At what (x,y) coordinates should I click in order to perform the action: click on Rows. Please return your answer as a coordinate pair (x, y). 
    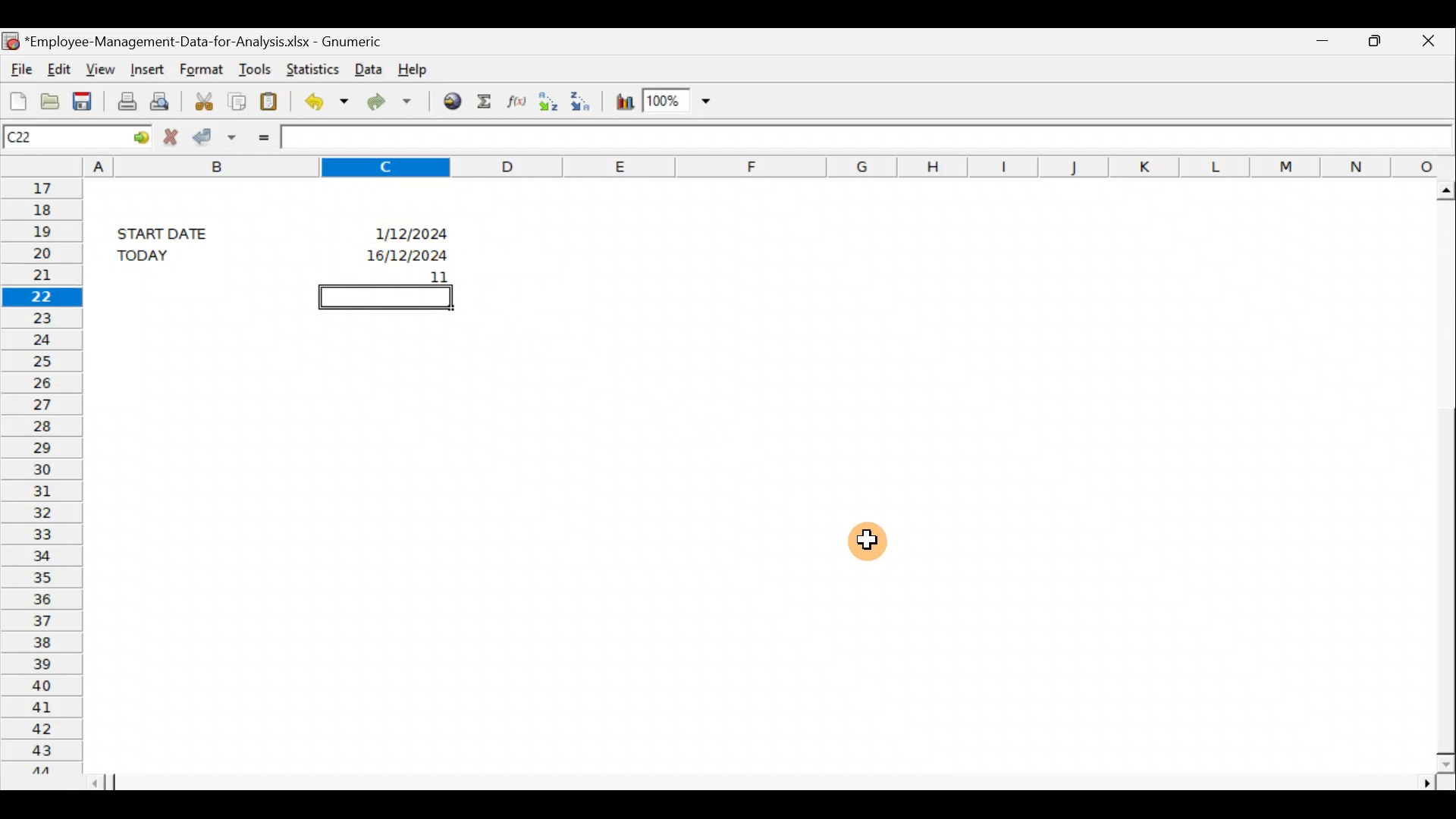
    Looking at the image, I should click on (39, 474).